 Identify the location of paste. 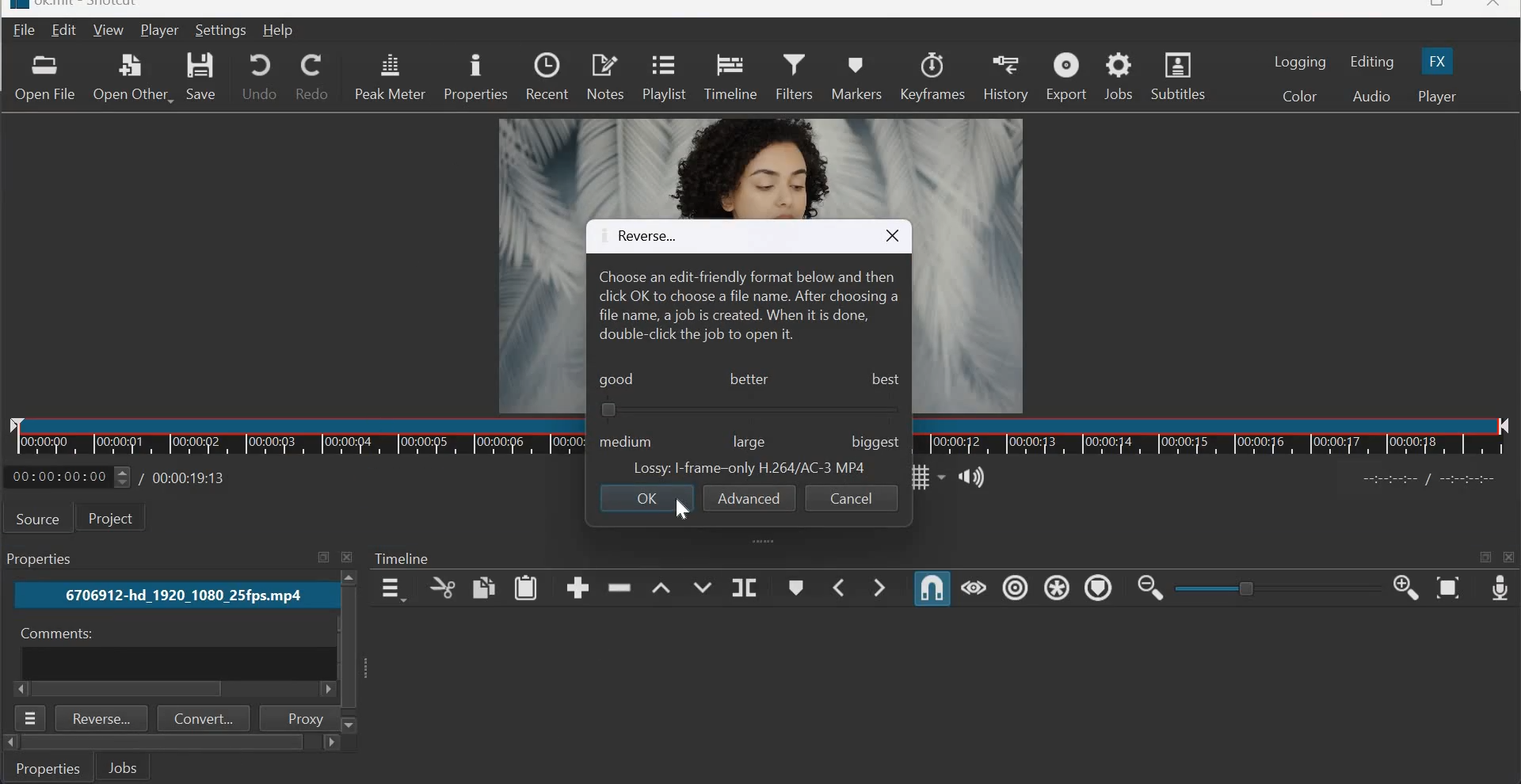
(527, 588).